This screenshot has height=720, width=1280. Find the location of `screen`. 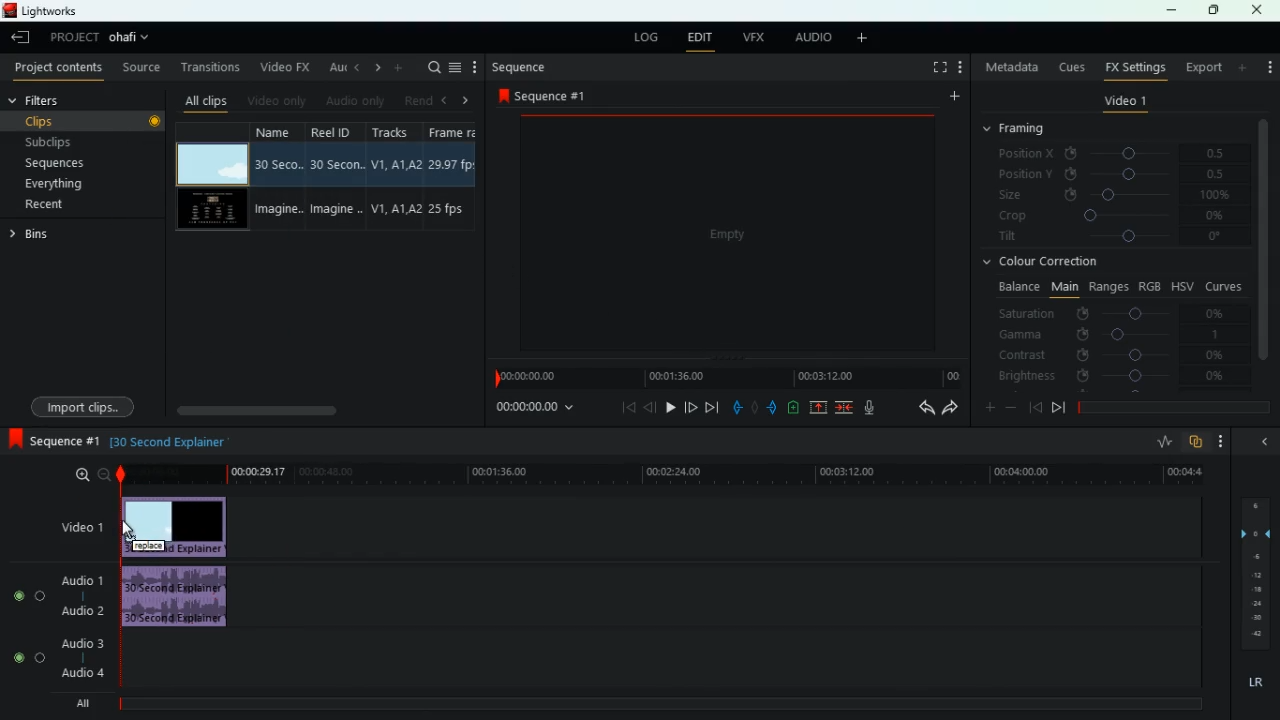

screen is located at coordinates (730, 239).